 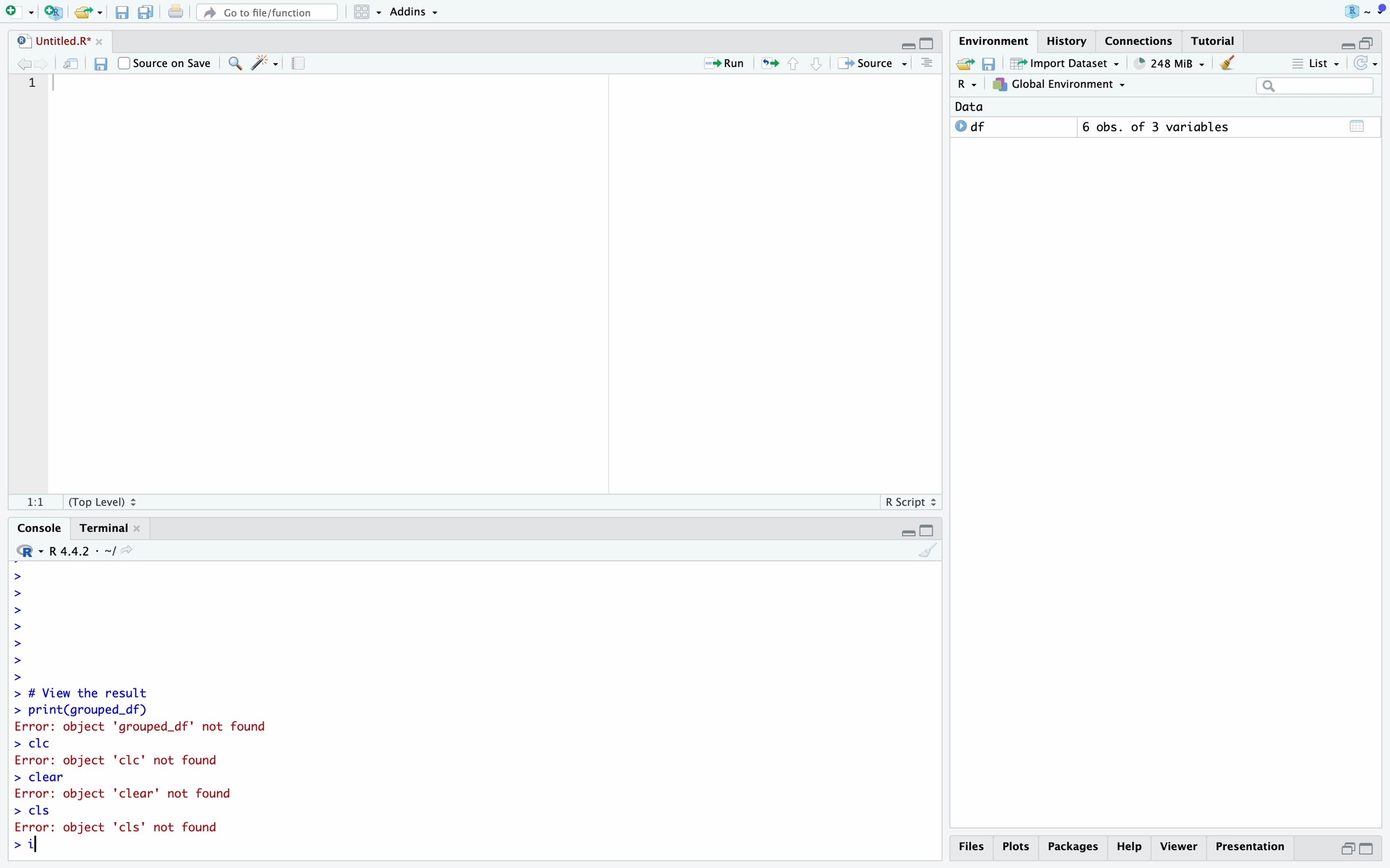 What do you see at coordinates (929, 63) in the screenshot?
I see `Outlines` at bounding box center [929, 63].